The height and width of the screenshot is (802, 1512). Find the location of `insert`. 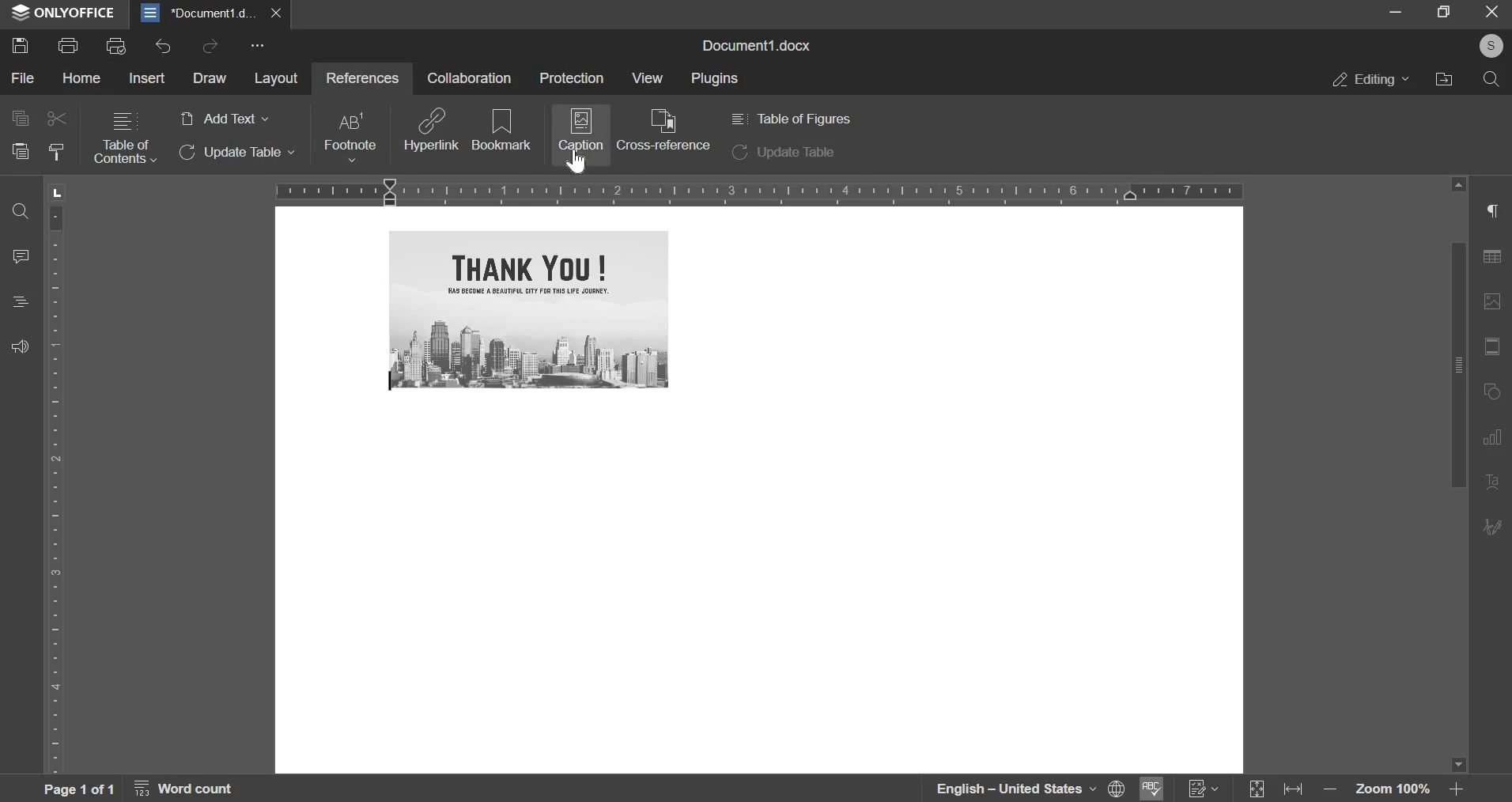

insert is located at coordinates (149, 77).